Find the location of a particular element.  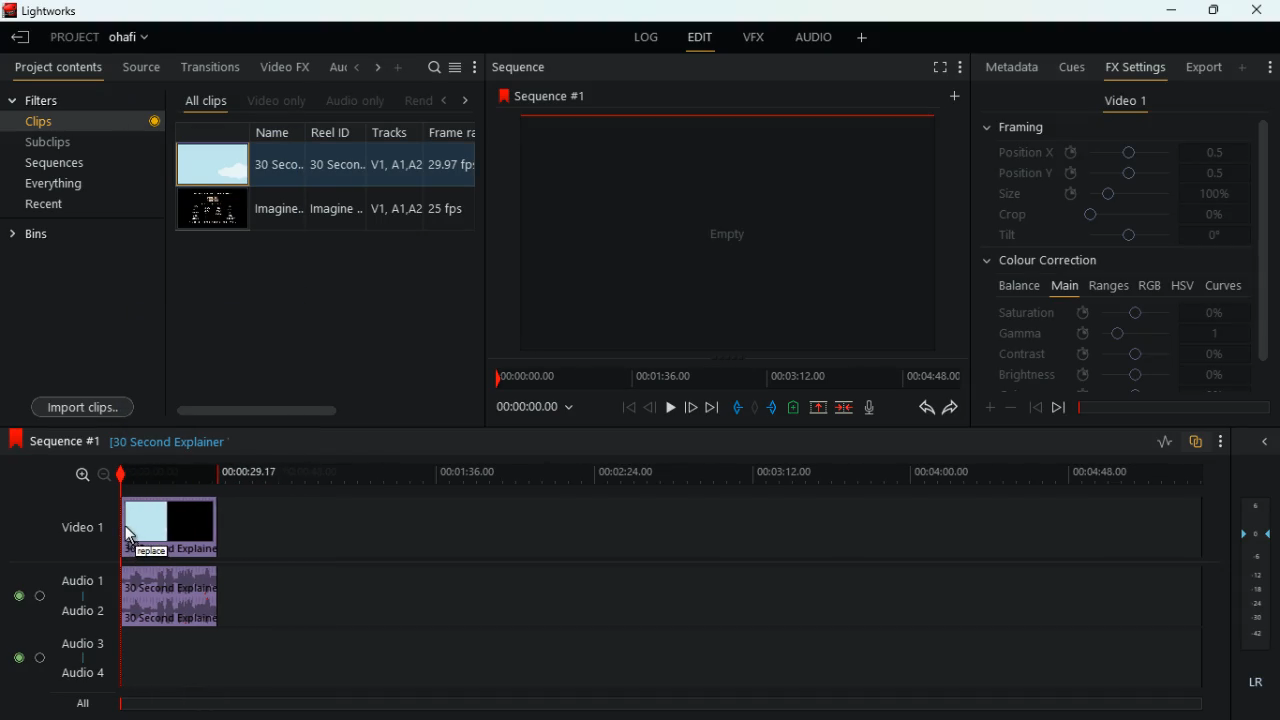

audio 1 is located at coordinates (81, 579).